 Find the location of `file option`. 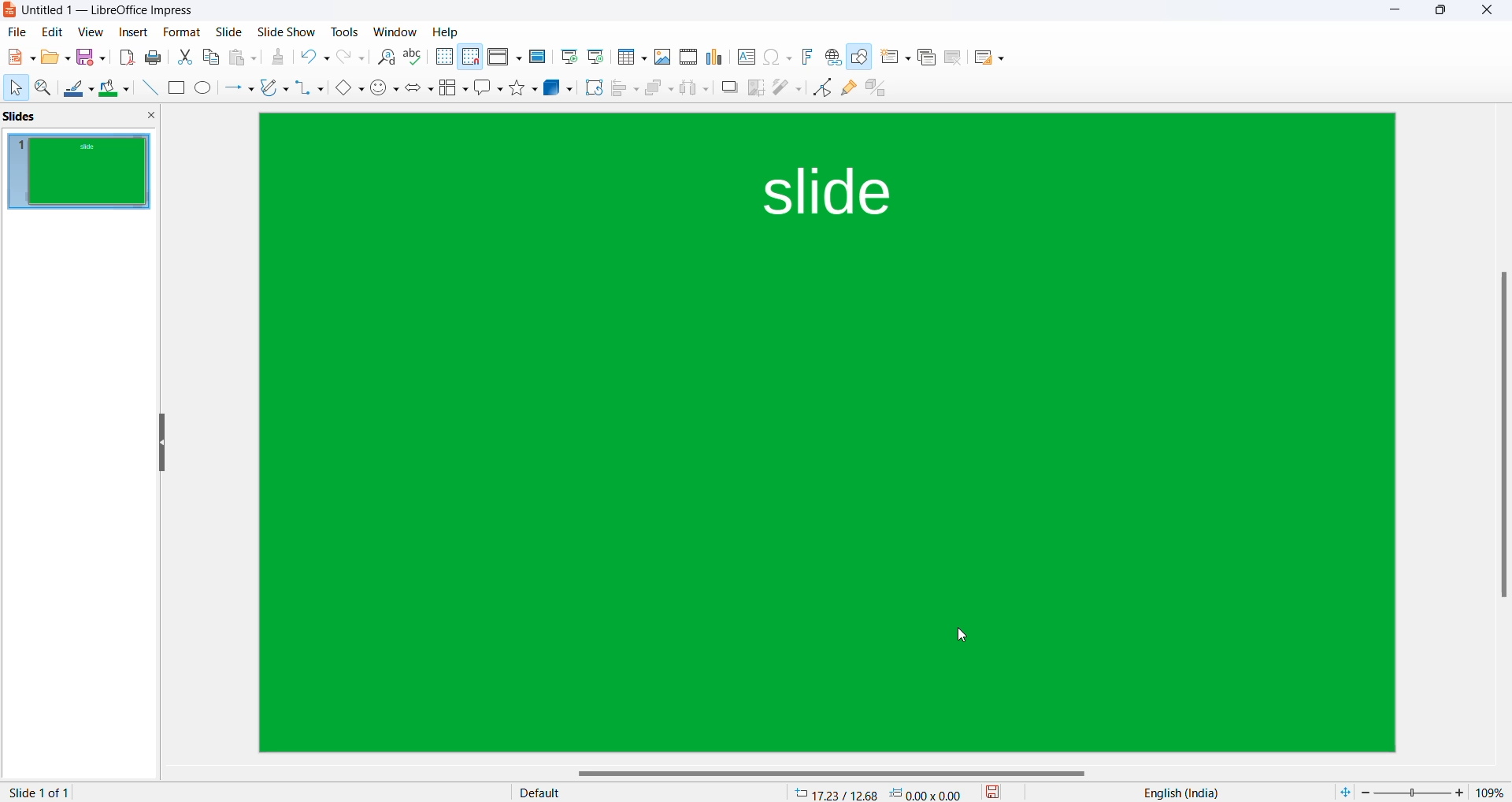

file option is located at coordinates (56, 58).